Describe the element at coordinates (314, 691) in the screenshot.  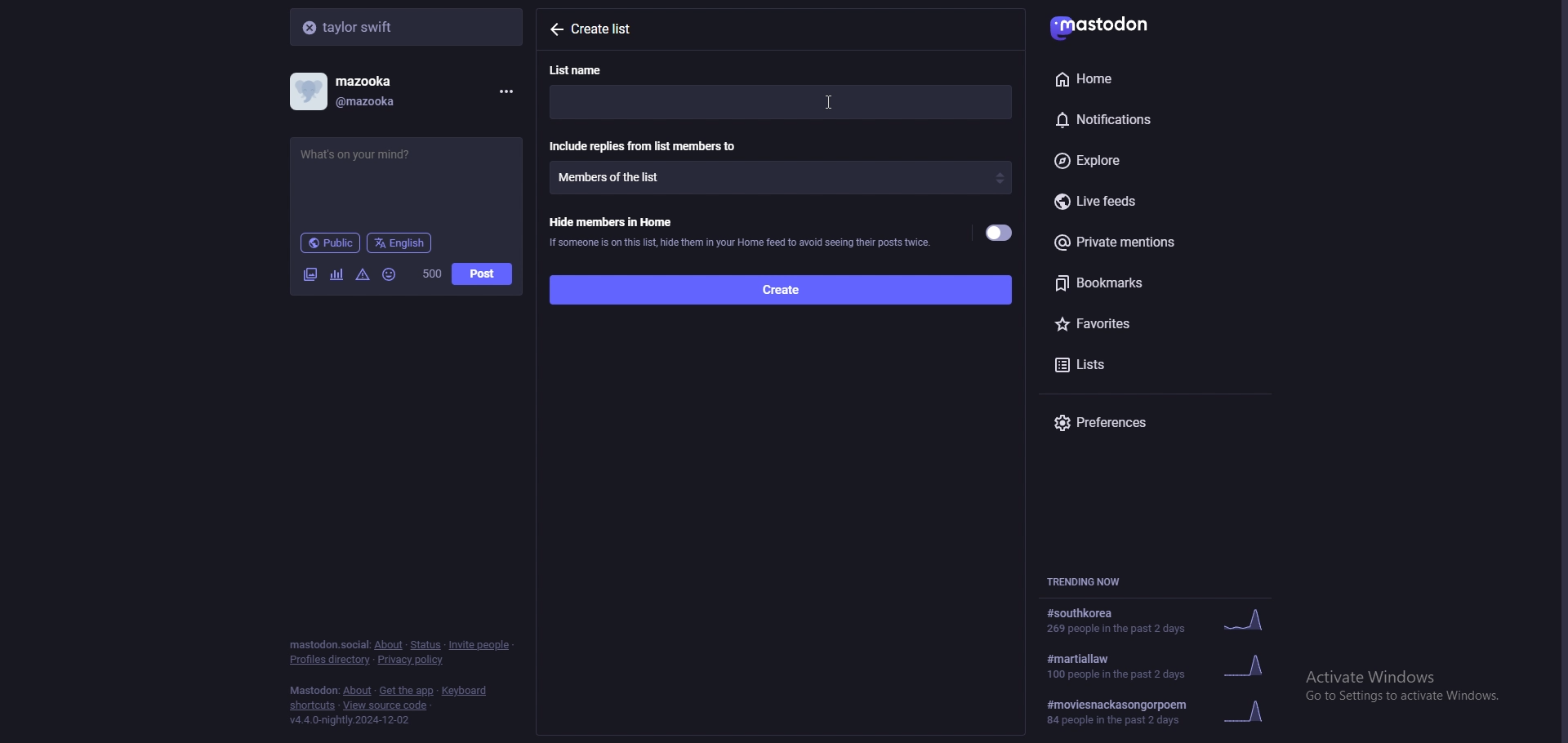
I see `mastodon` at that location.